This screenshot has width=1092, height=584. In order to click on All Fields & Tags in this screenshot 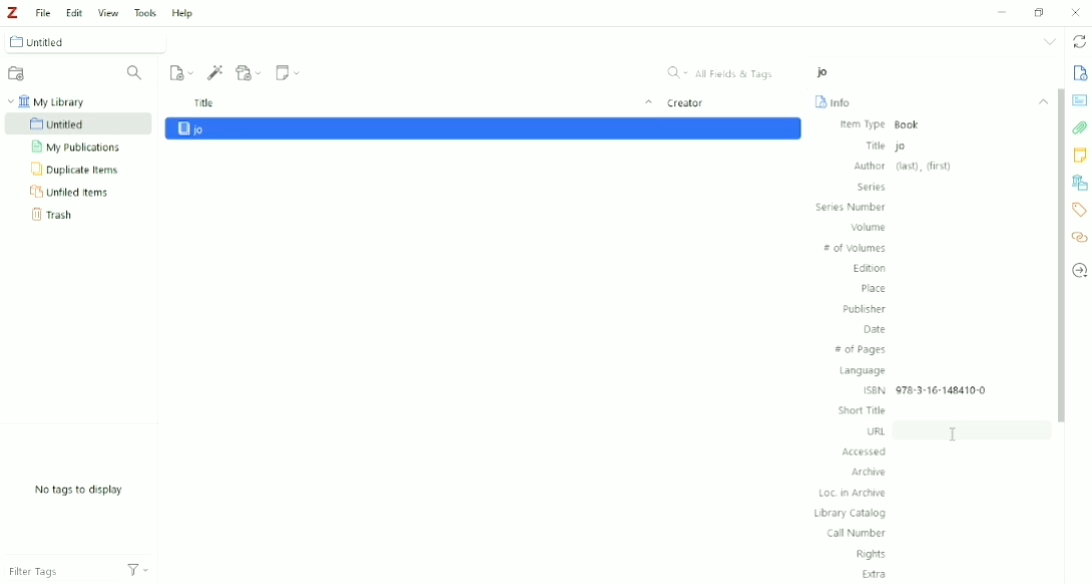, I will do `click(726, 73)`.